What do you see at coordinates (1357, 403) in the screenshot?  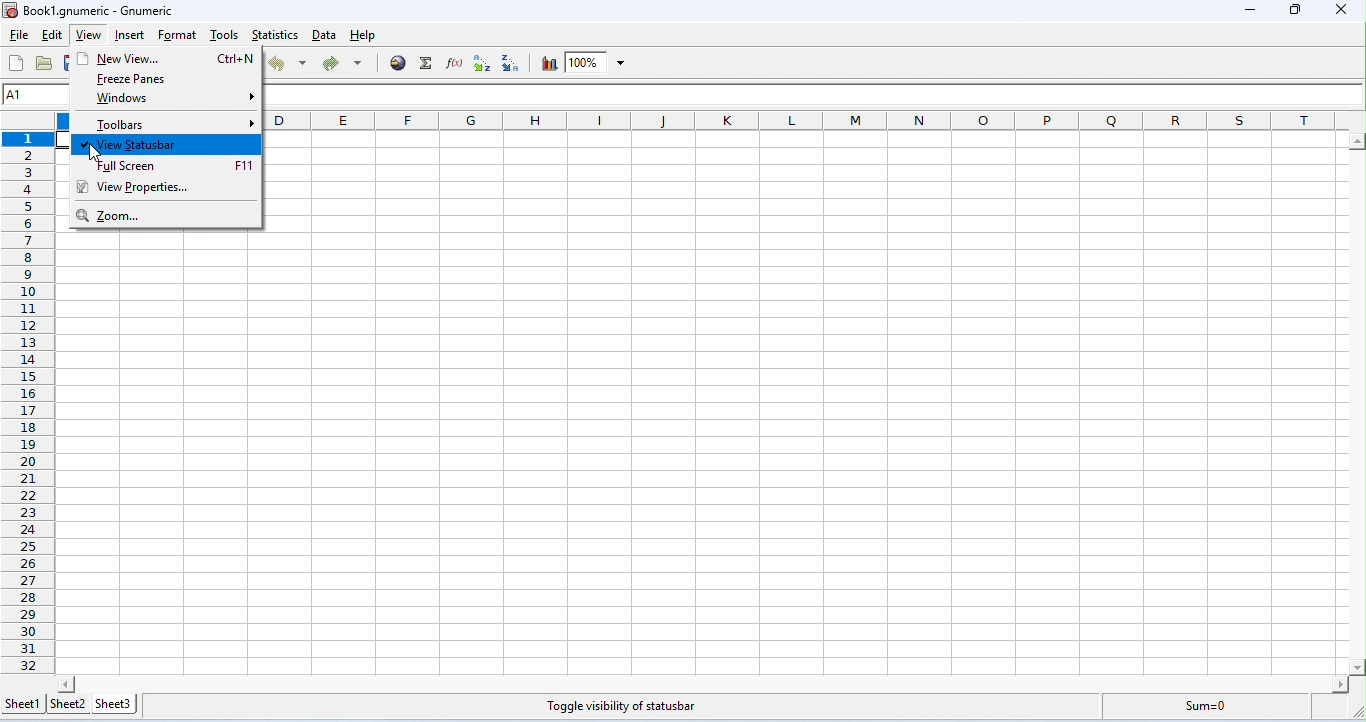 I see `vertical slider` at bounding box center [1357, 403].